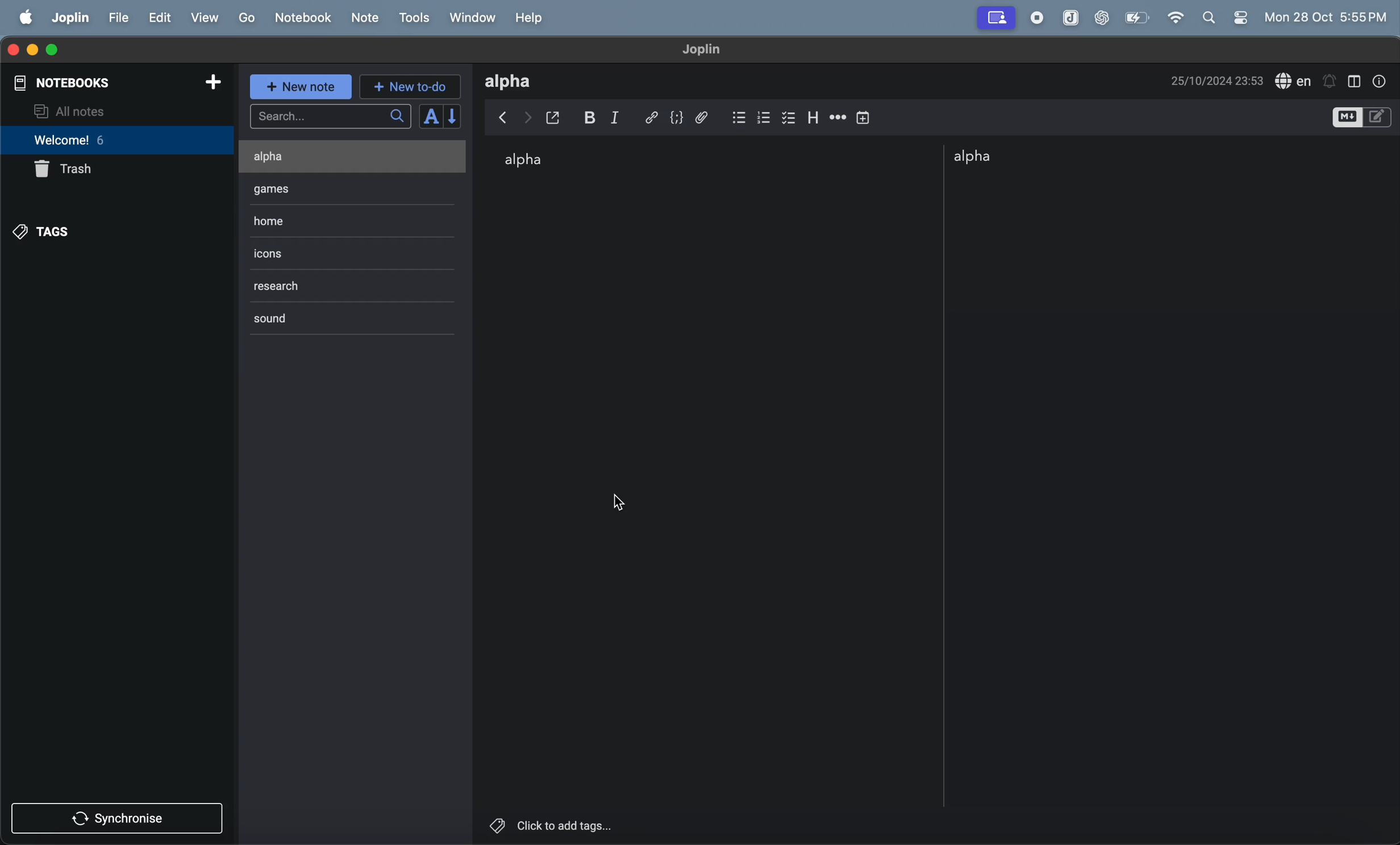 The height and width of the screenshot is (845, 1400). What do you see at coordinates (1327, 18) in the screenshot?
I see `Mon 28 Oct 5:55PM` at bounding box center [1327, 18].